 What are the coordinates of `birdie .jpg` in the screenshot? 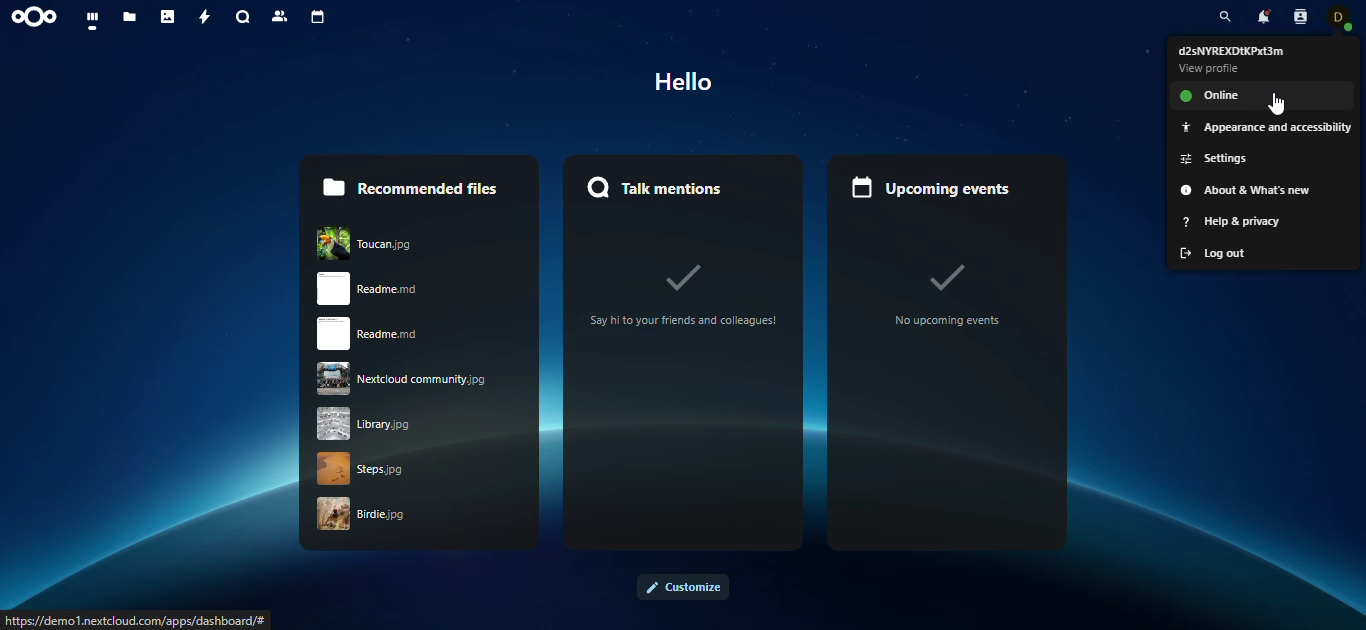 It's located at (404, 514).